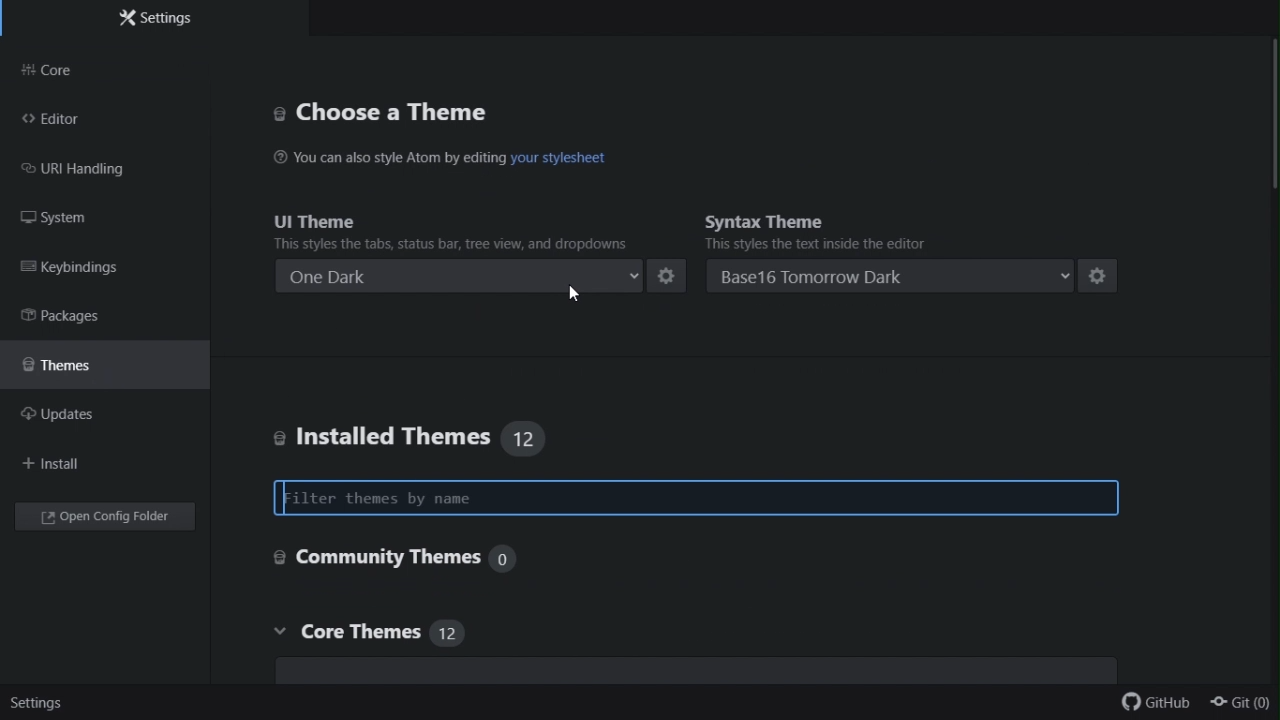 Image resolution: width=1280 pixels, height=720 pixels. What do you see at coordinates (98, 363) in the screenshot?
I see `themes` at bounding box center [98, 363].